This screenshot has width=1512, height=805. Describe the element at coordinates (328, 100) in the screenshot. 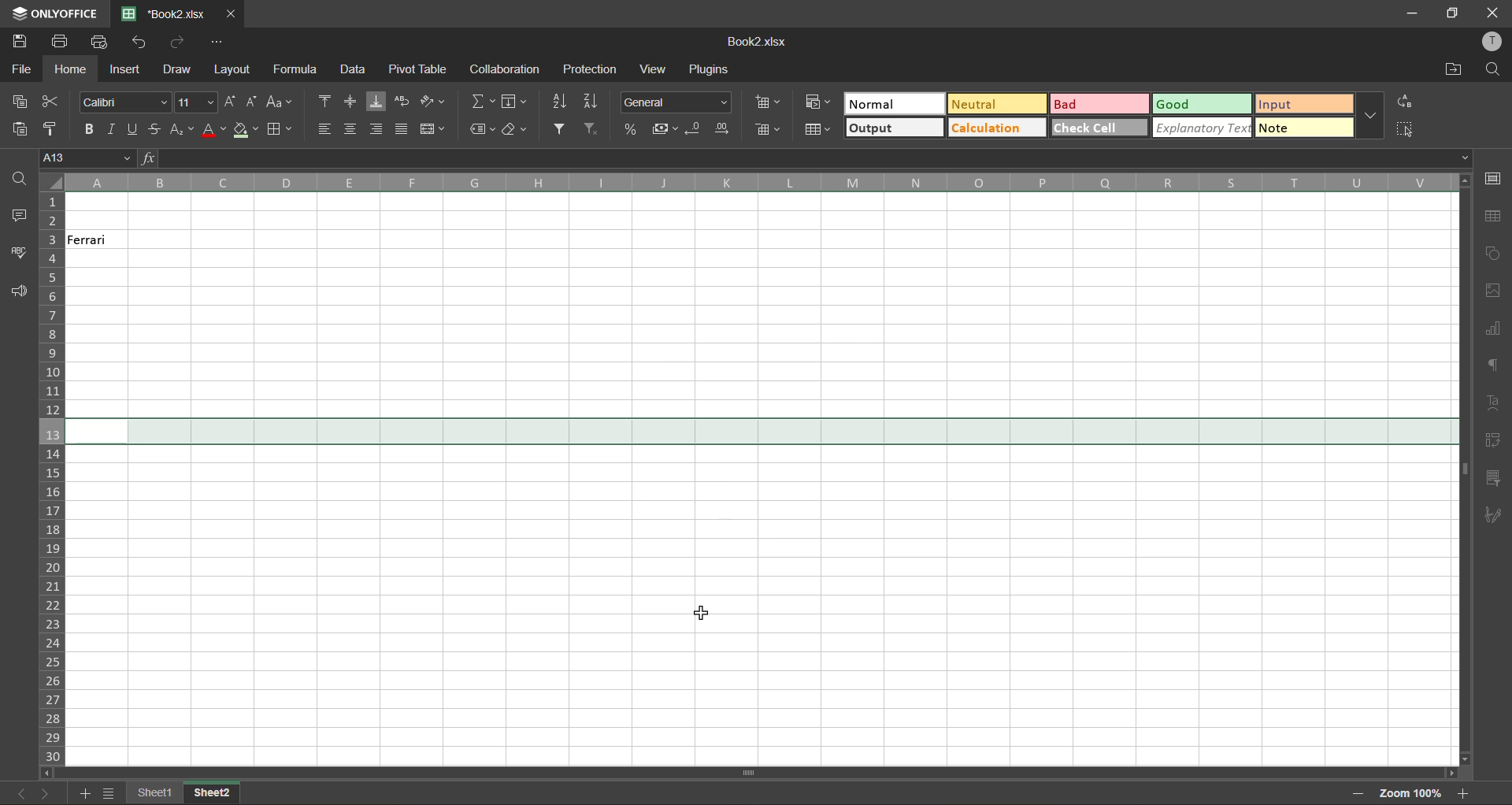

I see `align top` at that location.